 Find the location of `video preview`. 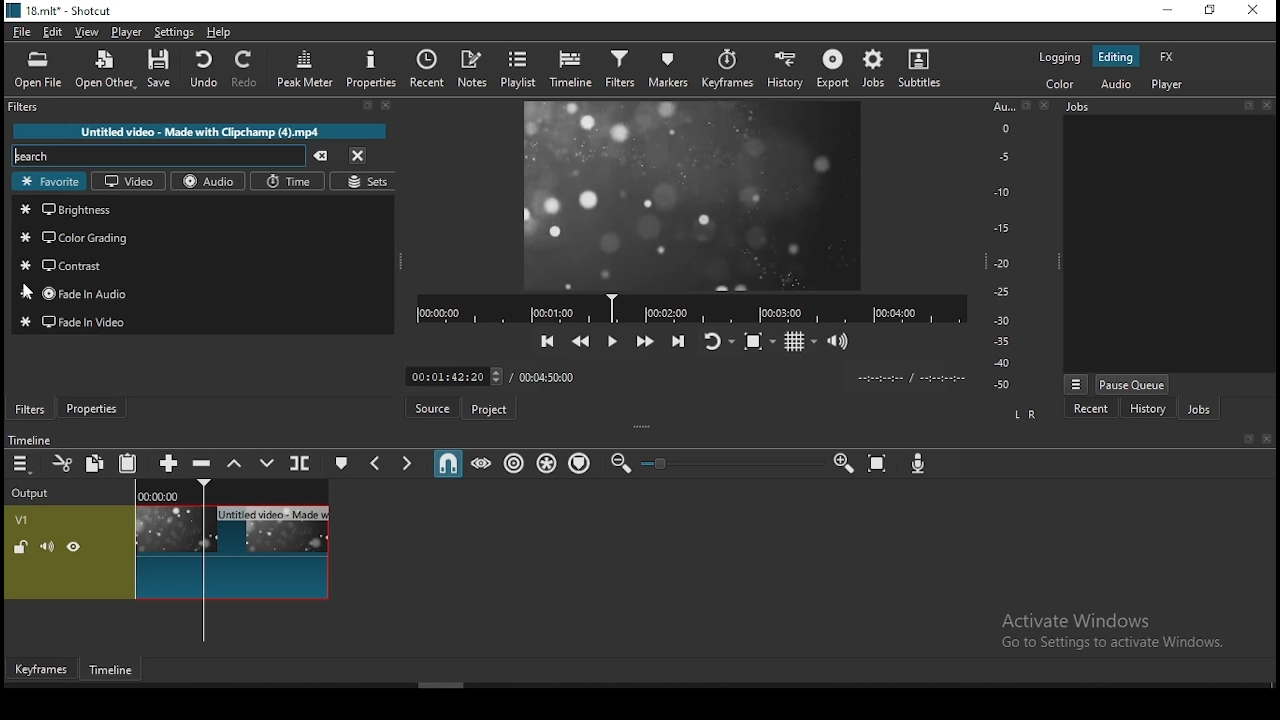

video preview is located at coordinates (694, 195).